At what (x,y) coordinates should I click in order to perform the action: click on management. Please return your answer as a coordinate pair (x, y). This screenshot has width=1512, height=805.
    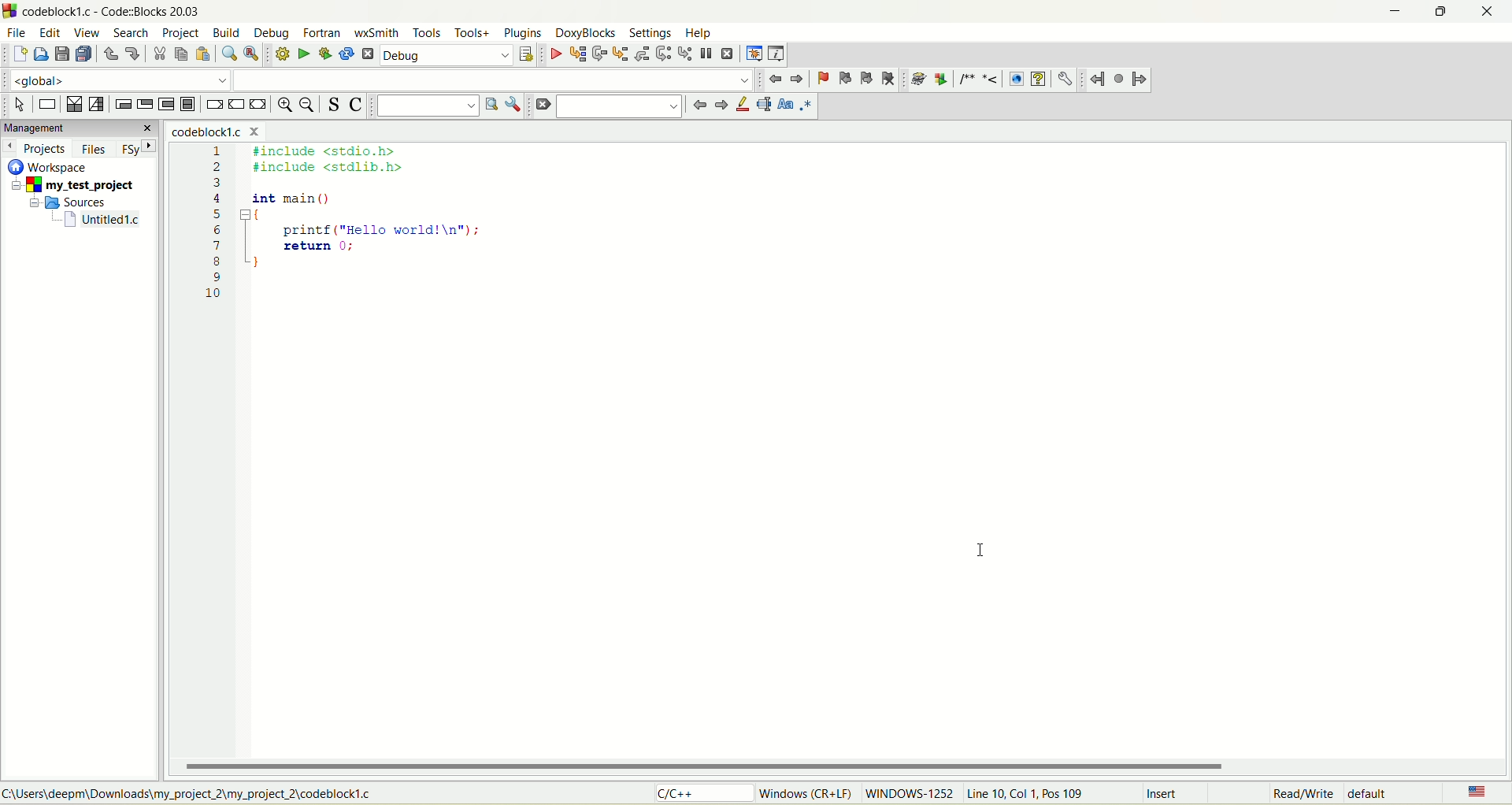
    Looking at the image, I should click on (79, 127).